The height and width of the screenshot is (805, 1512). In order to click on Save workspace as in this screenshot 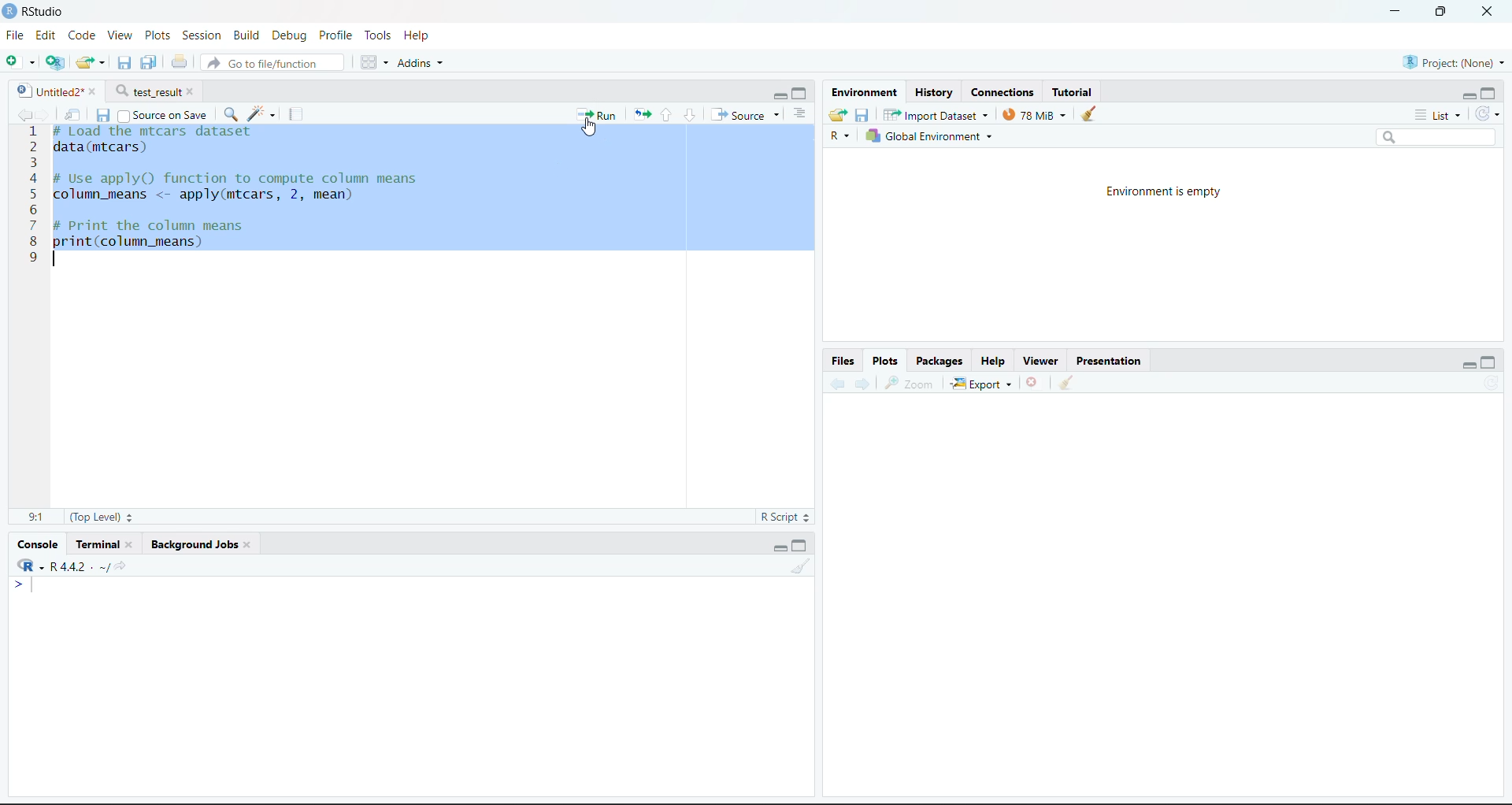, I will do `click(863, 113)`.